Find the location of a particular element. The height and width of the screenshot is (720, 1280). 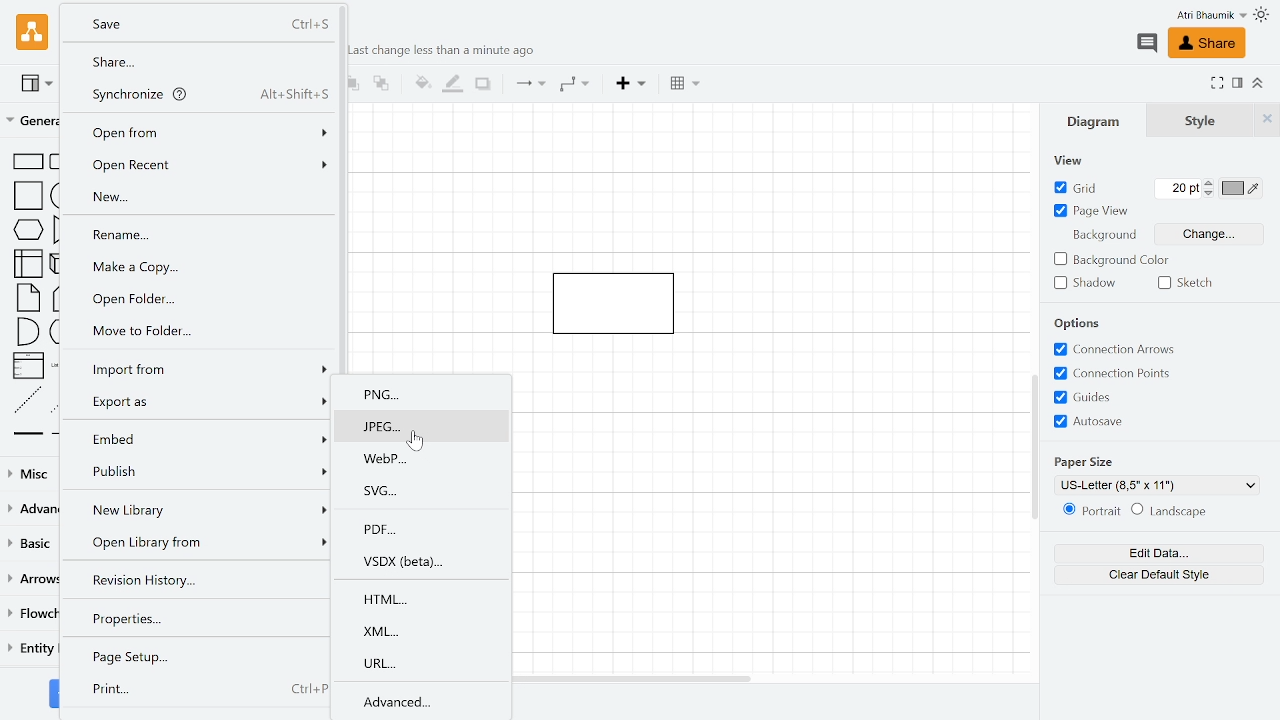

Basic is located at coordinates (29, 542).